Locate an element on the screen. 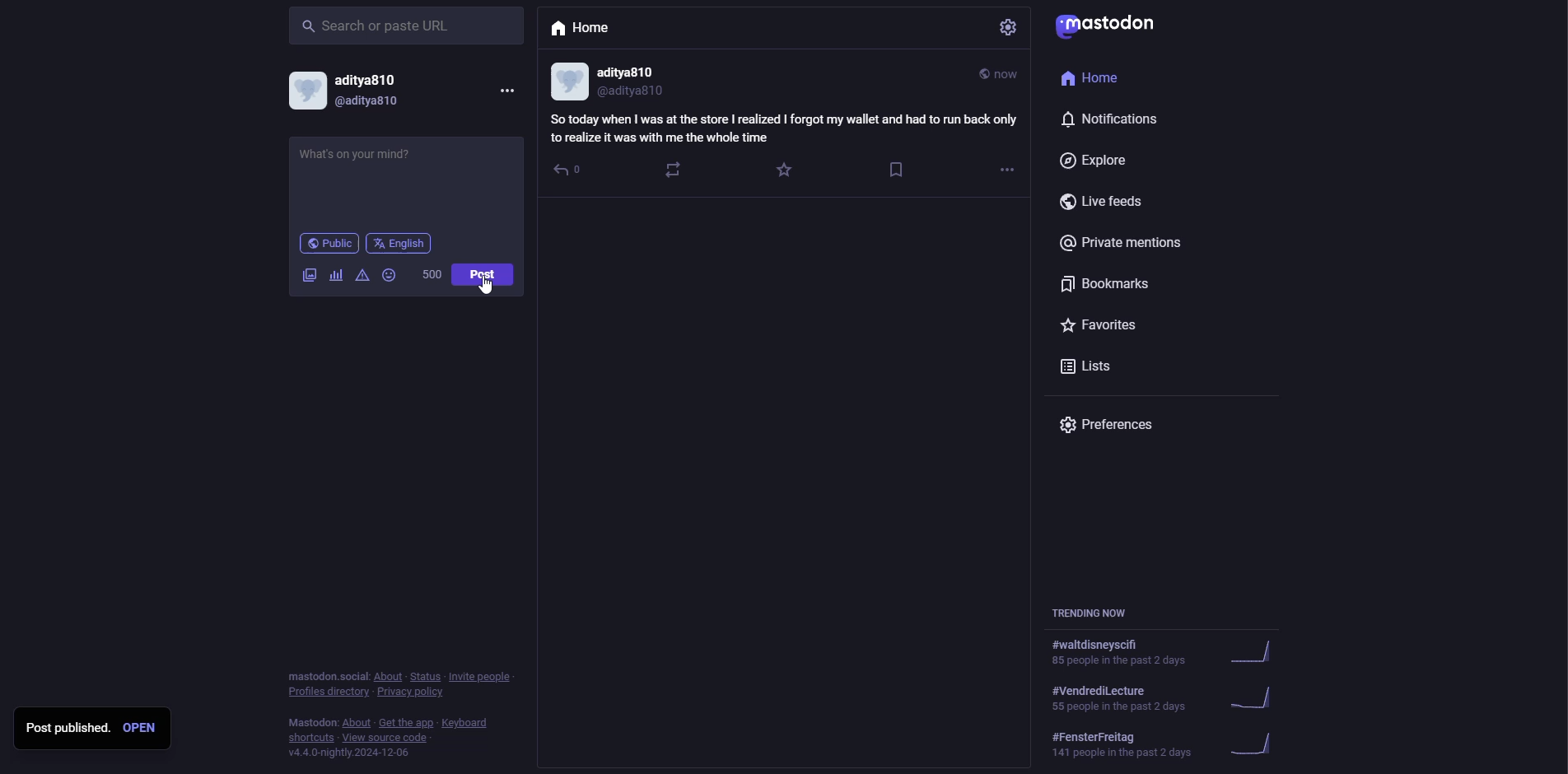 The height and width of the screenshot is (774, 1568). notifications is located at coordinates (1112, 119).